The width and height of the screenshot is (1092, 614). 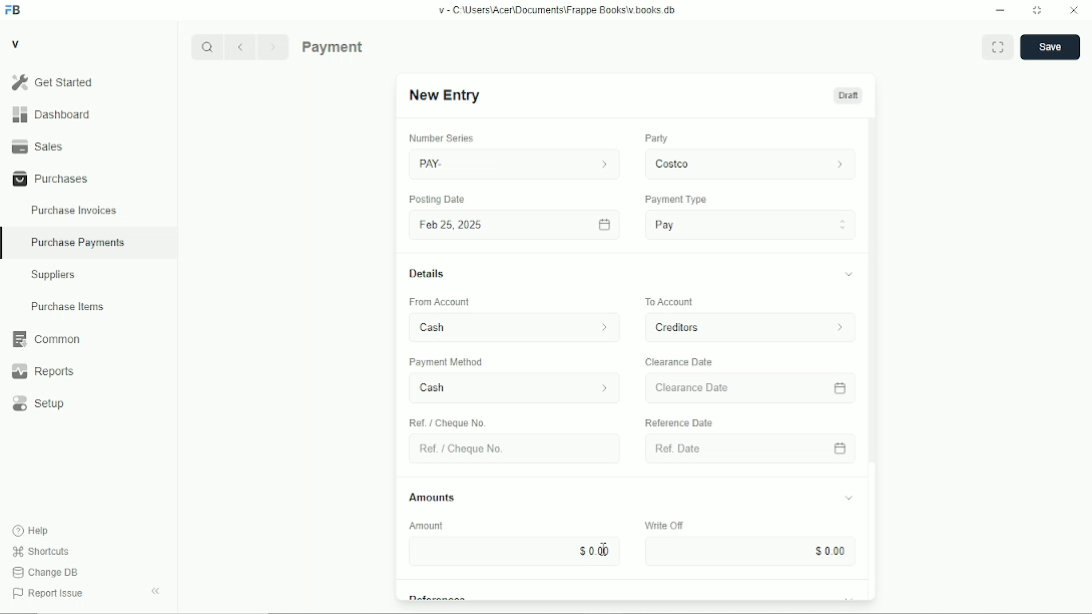 What do you see at coordinates (748, 552) in the screenshot?
I see `` at bounding box center [748, 552].